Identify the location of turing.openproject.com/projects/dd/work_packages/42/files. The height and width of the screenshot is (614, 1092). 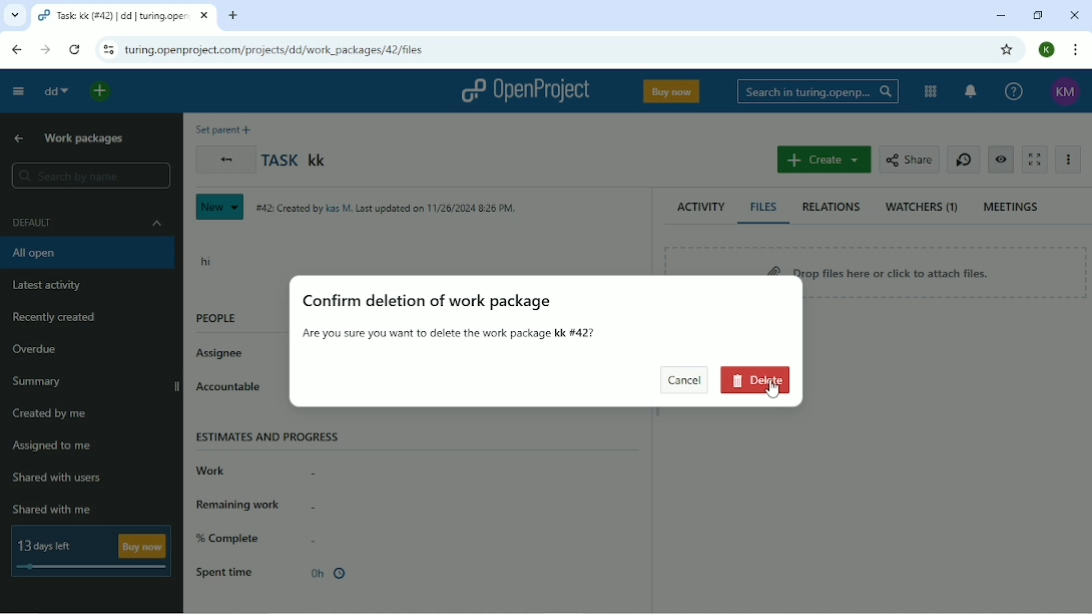
(273, 50).